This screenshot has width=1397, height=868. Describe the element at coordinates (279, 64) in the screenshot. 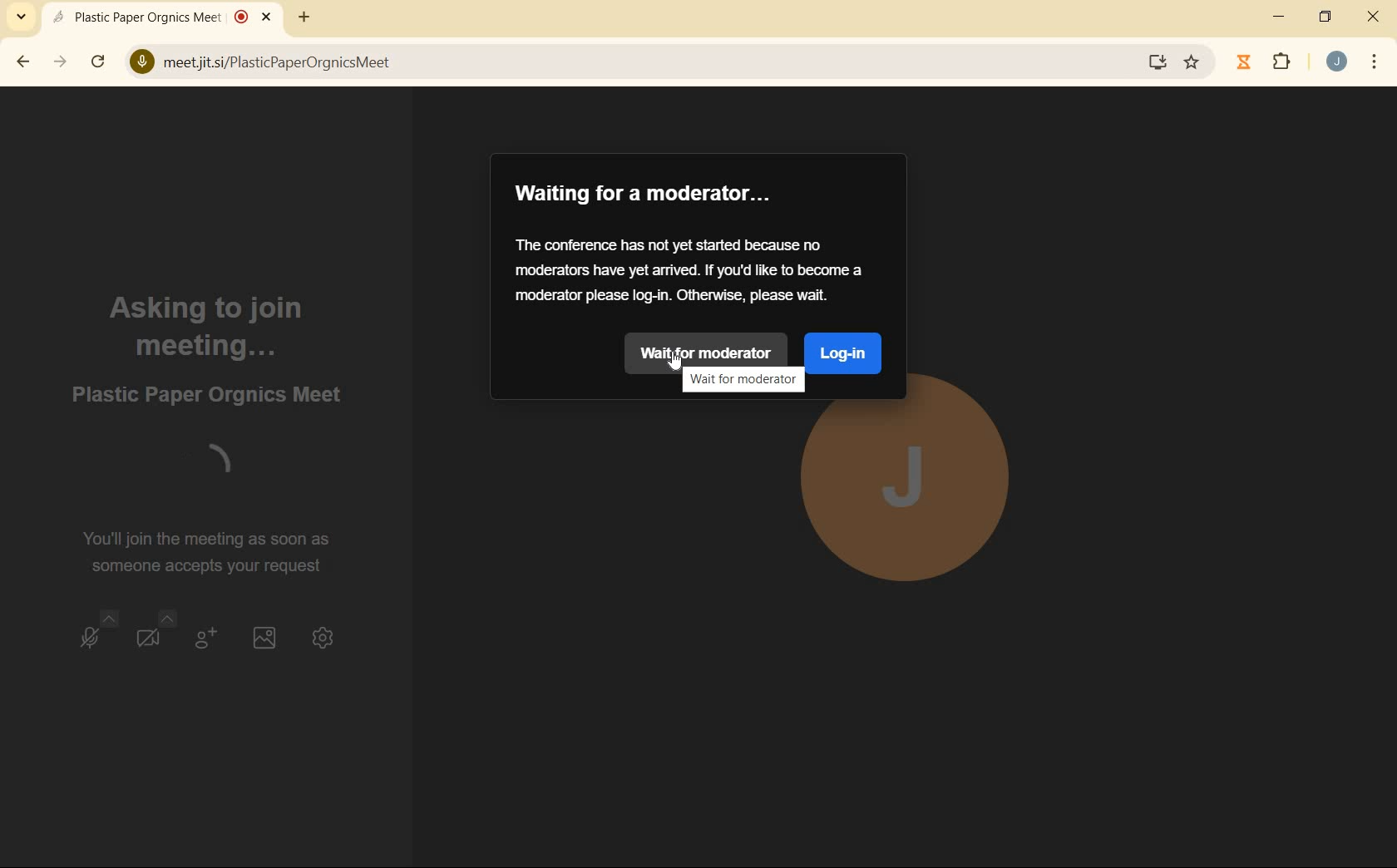

I see `meeting URL` at that location.